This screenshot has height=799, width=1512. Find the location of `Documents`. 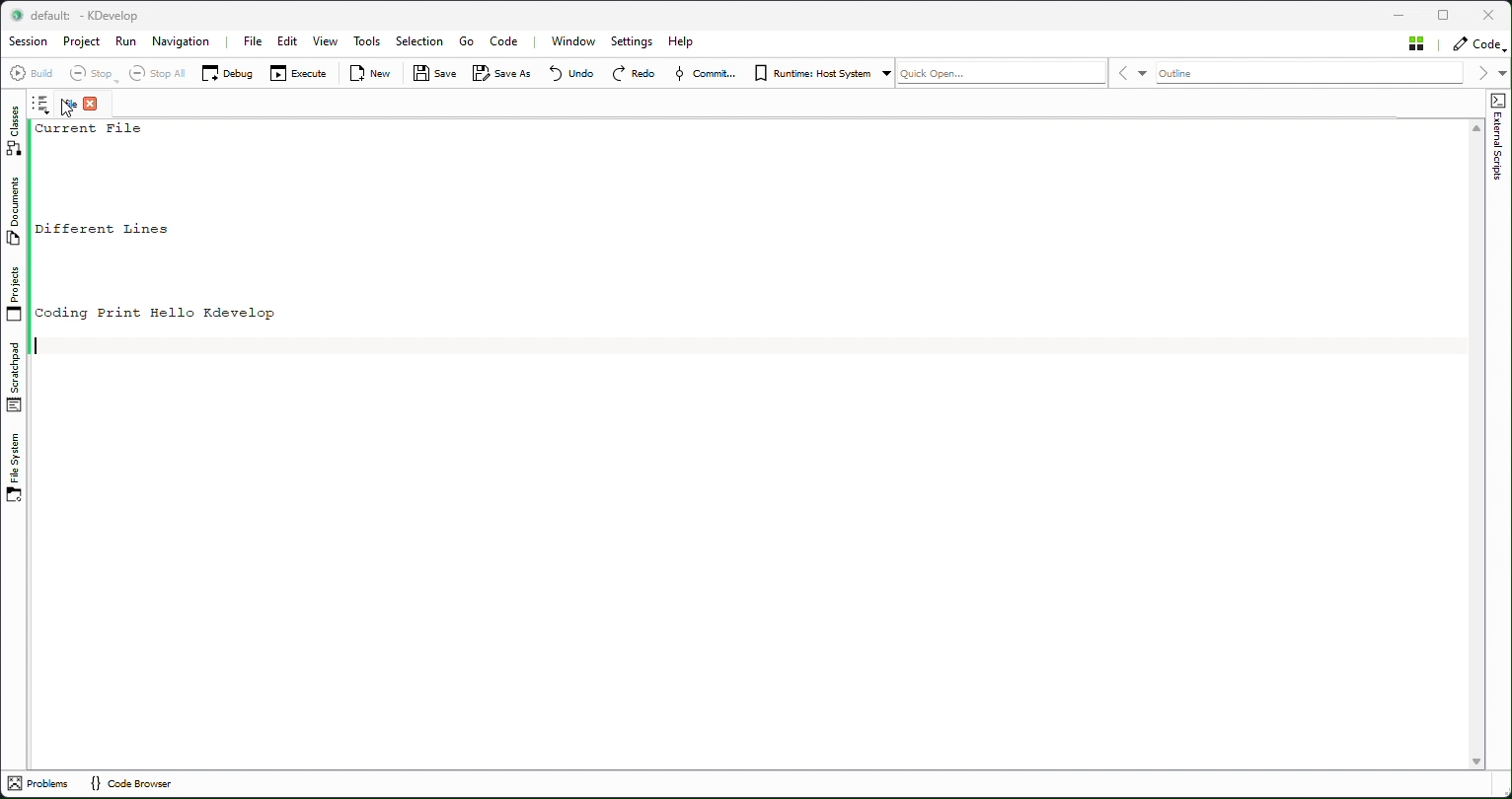

Documents is located at coordinates (12, 213).